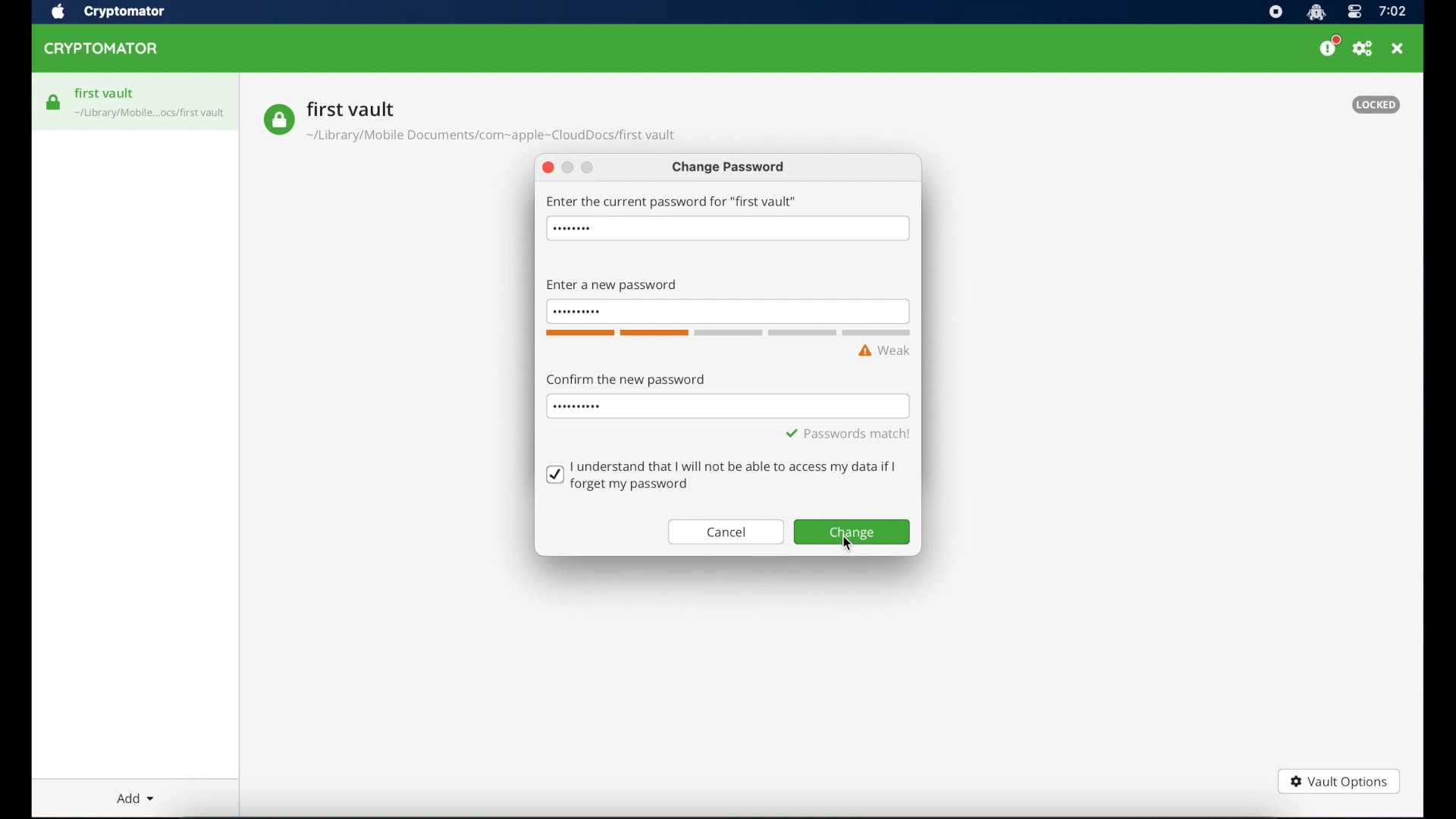 This screenshot has width=1456, height=819. I want to click on change, so click(852, 532).